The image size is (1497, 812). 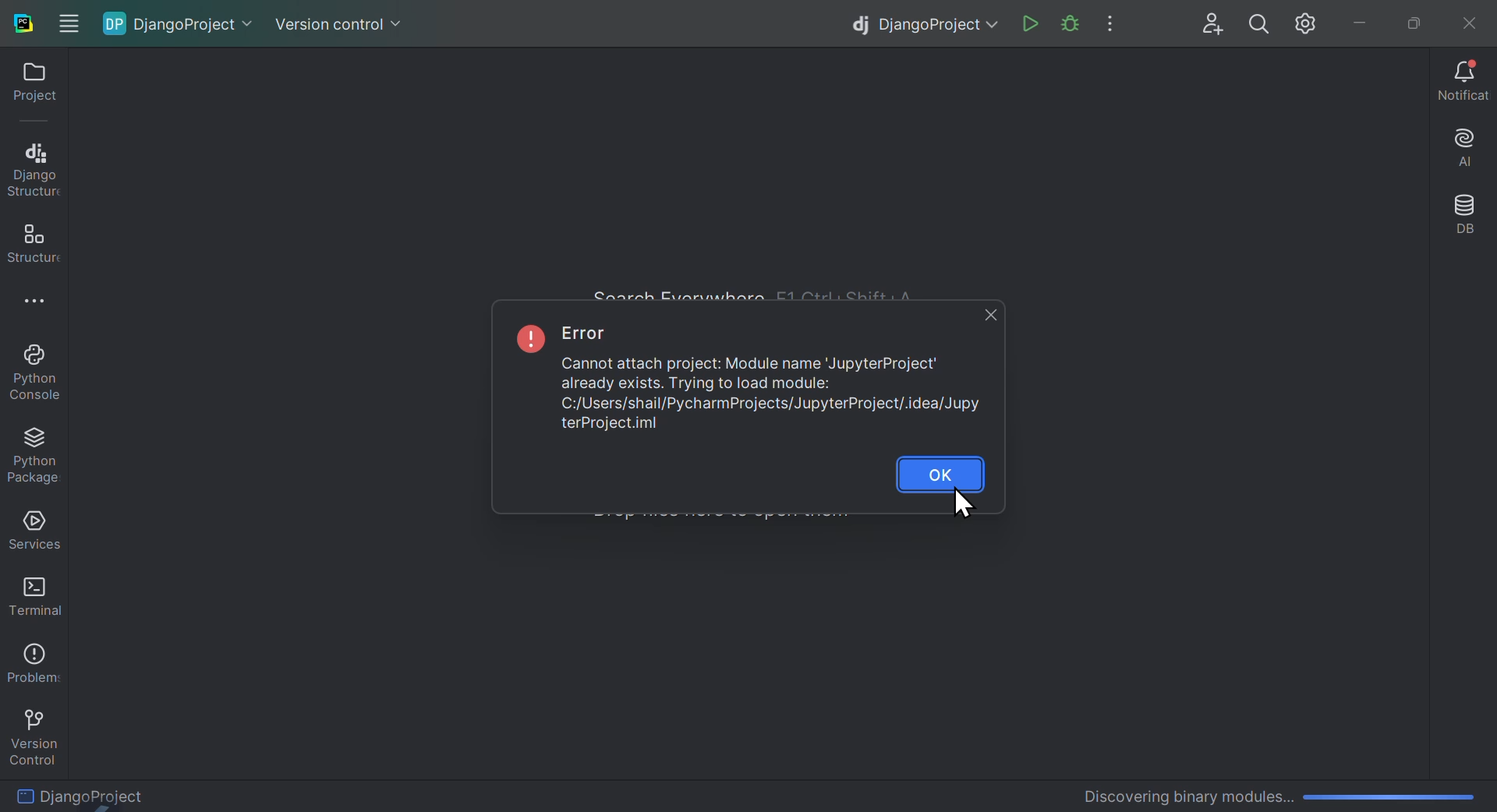 I want to click on Python package, so click(x=39, y=457).